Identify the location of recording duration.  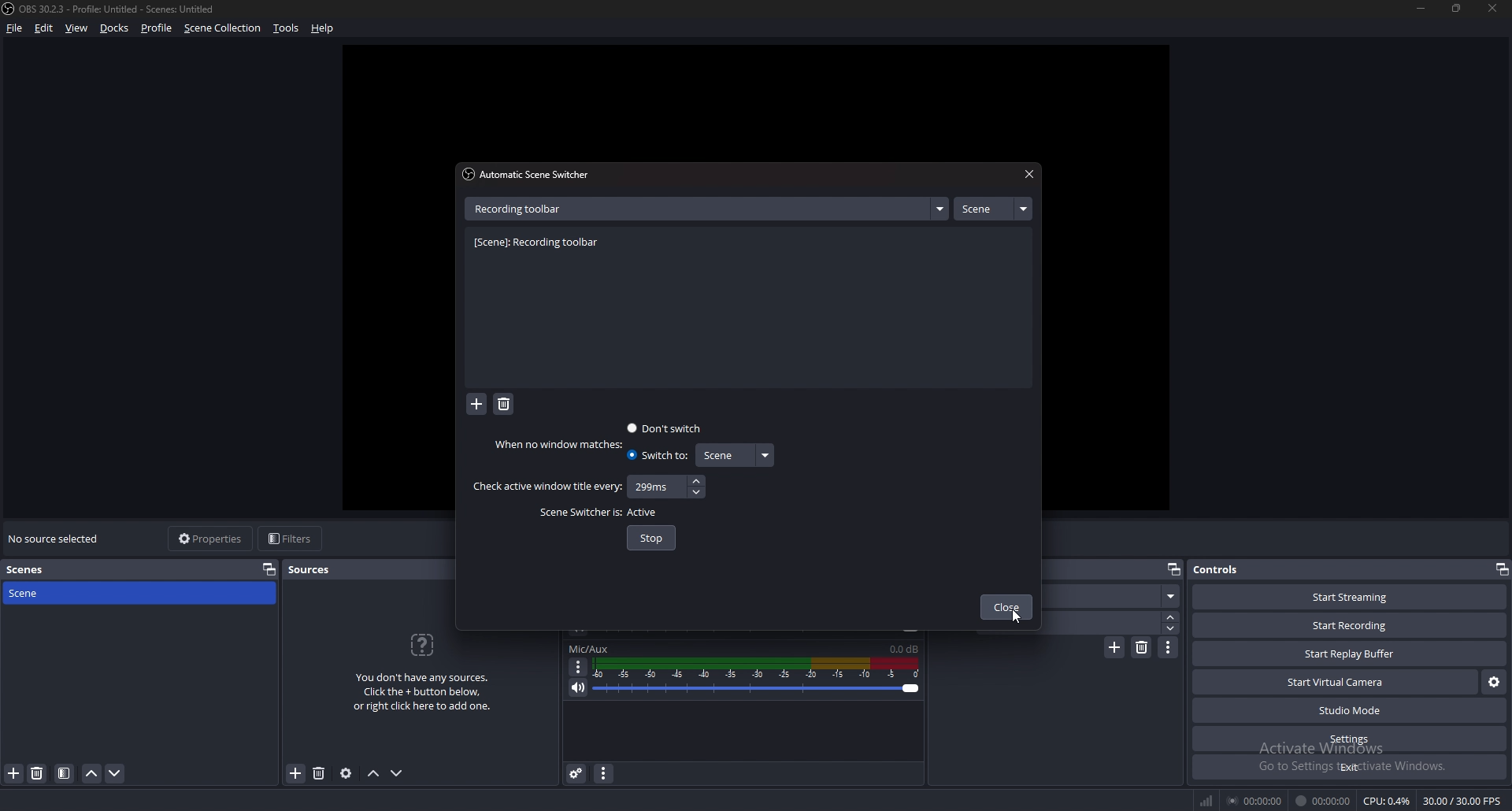
(1324, 801).